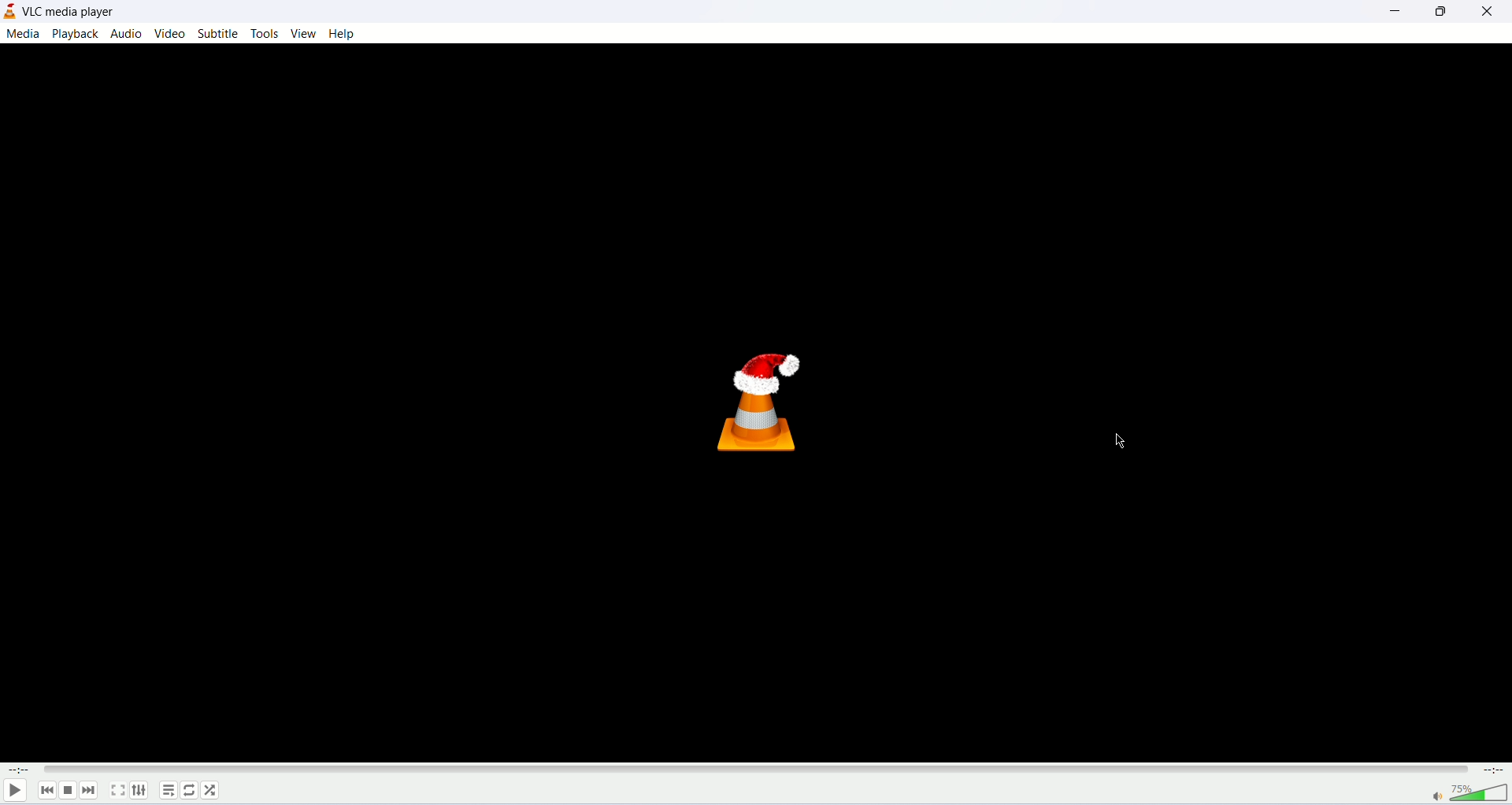 The image size is (1512, 805). I want to click on total time, so click(1494, 772).